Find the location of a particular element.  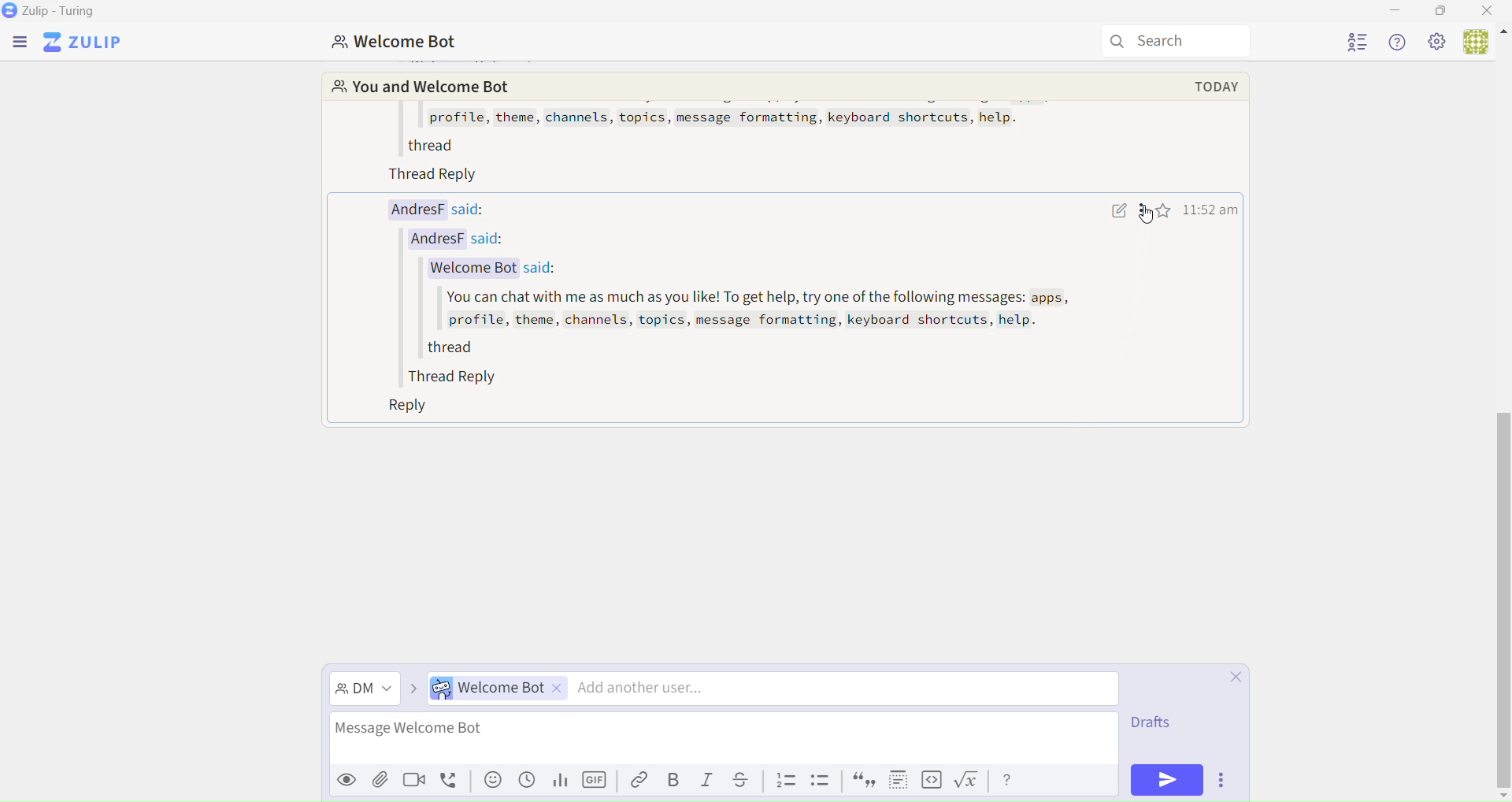

Close is located at coordinates (1488, 12).